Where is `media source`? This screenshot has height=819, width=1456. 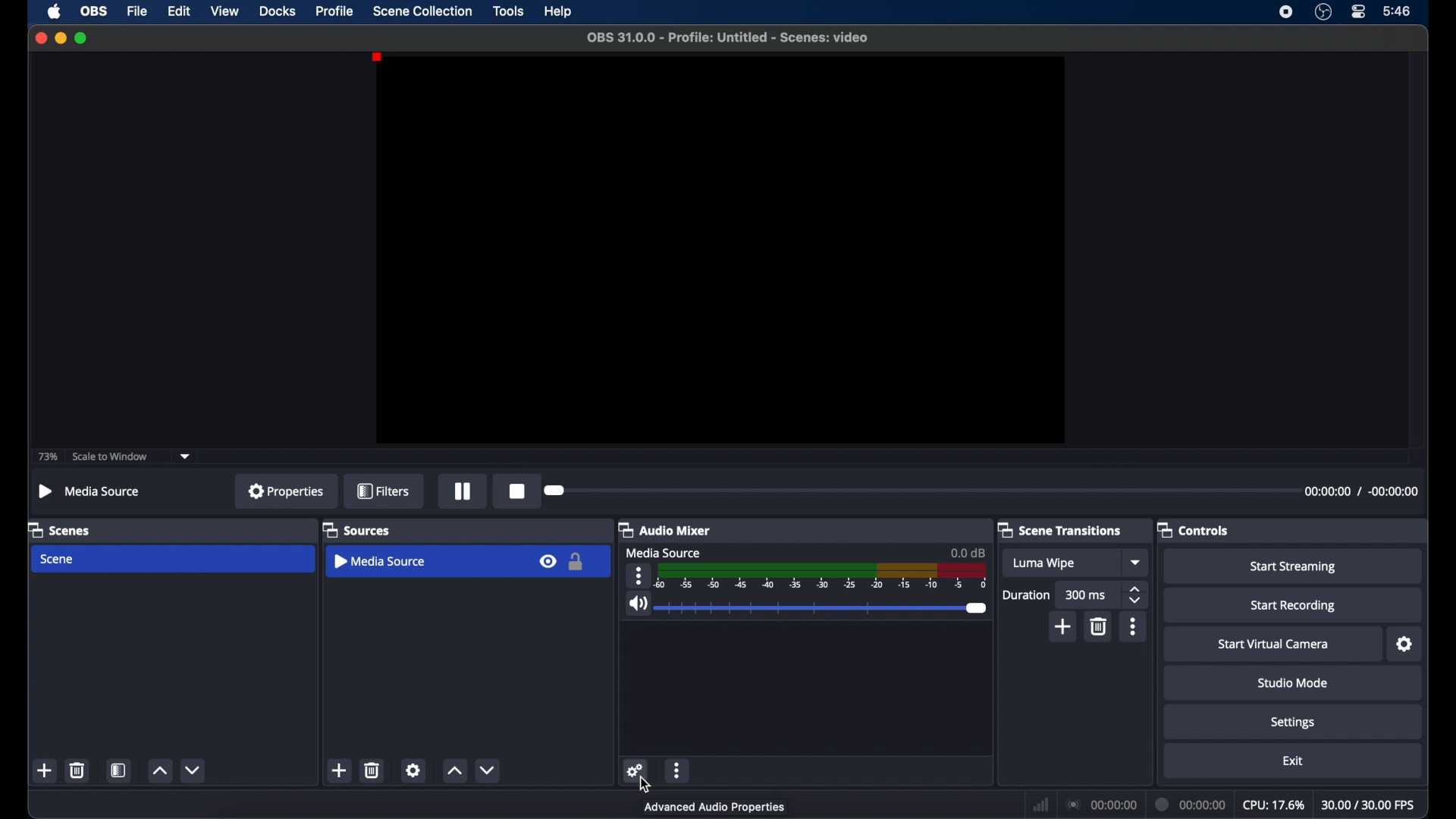
media source is located at coordinates (381, 561).